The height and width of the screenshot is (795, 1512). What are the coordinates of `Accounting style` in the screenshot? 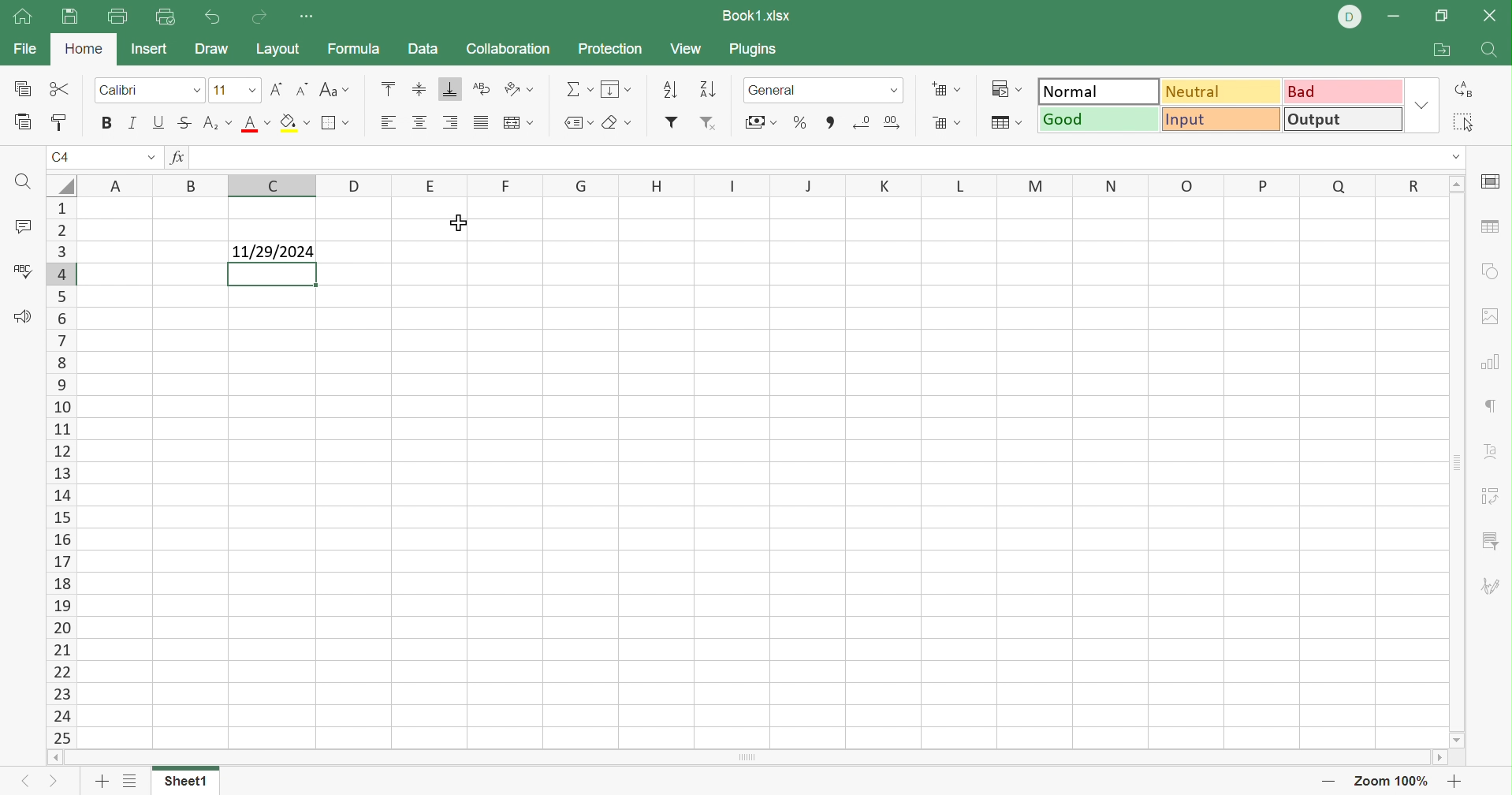 It's located at (759, 122).